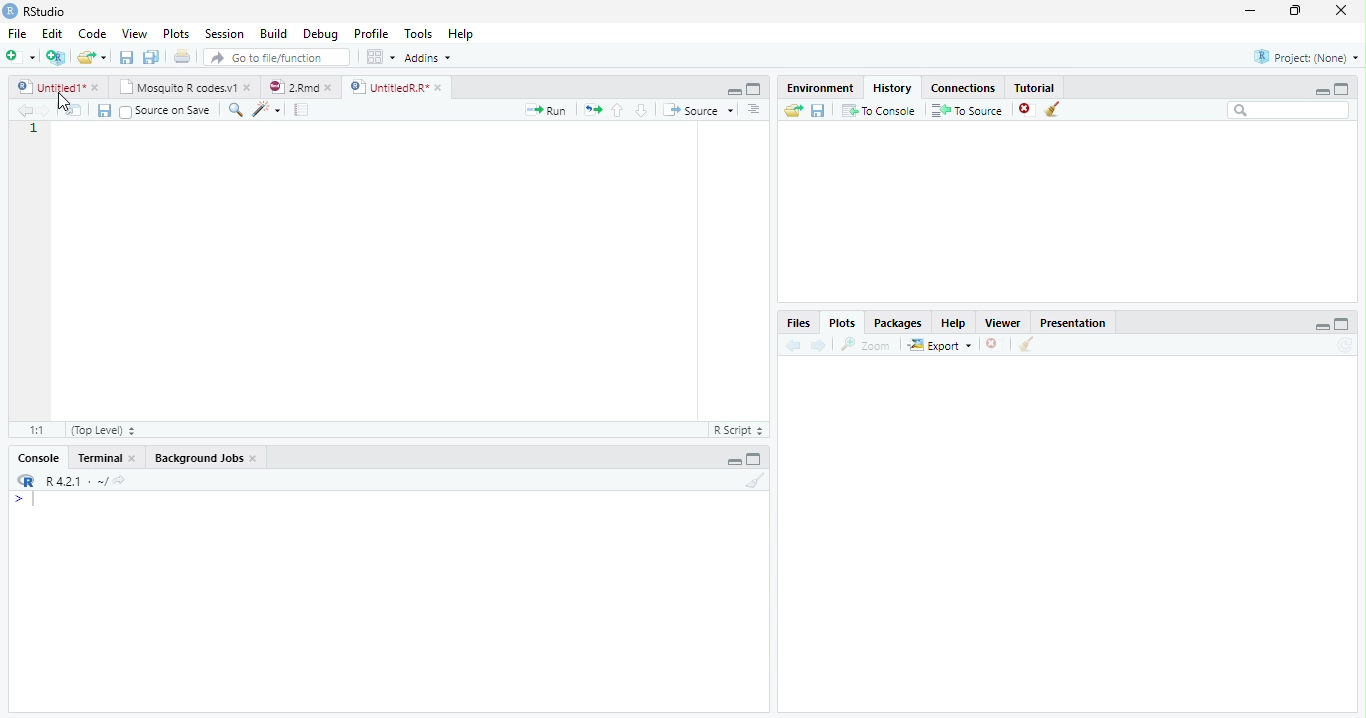 The width and height of the screenshot is (1366, 718). Describe the element at coordinates (65, 100) in the screenshot. I see `cursor` at that location.